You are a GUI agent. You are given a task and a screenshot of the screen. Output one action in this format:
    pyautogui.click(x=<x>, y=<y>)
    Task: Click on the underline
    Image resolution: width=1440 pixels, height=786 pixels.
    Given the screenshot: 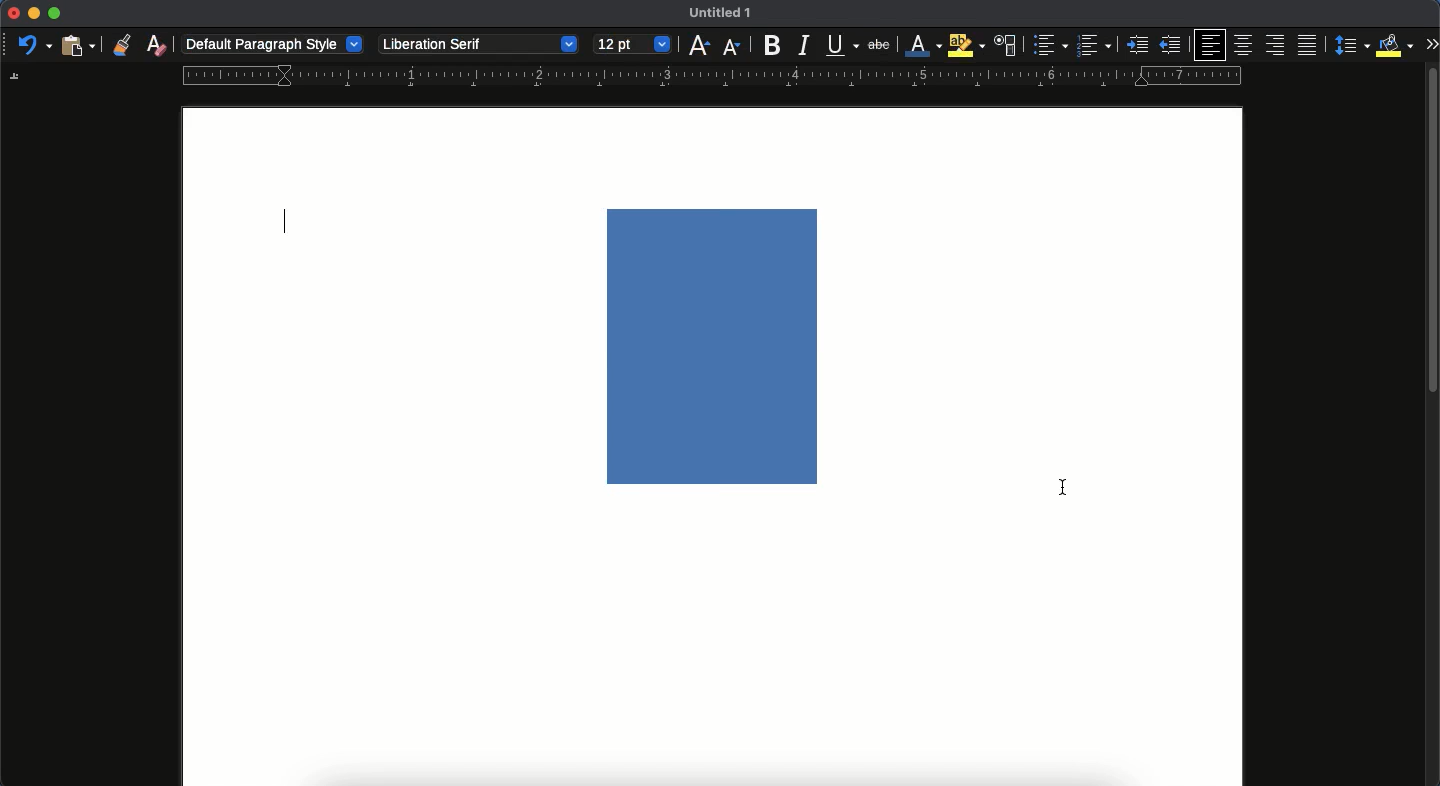 What is the action you would take?
    pyautogui.click(x=841, y=44)
    